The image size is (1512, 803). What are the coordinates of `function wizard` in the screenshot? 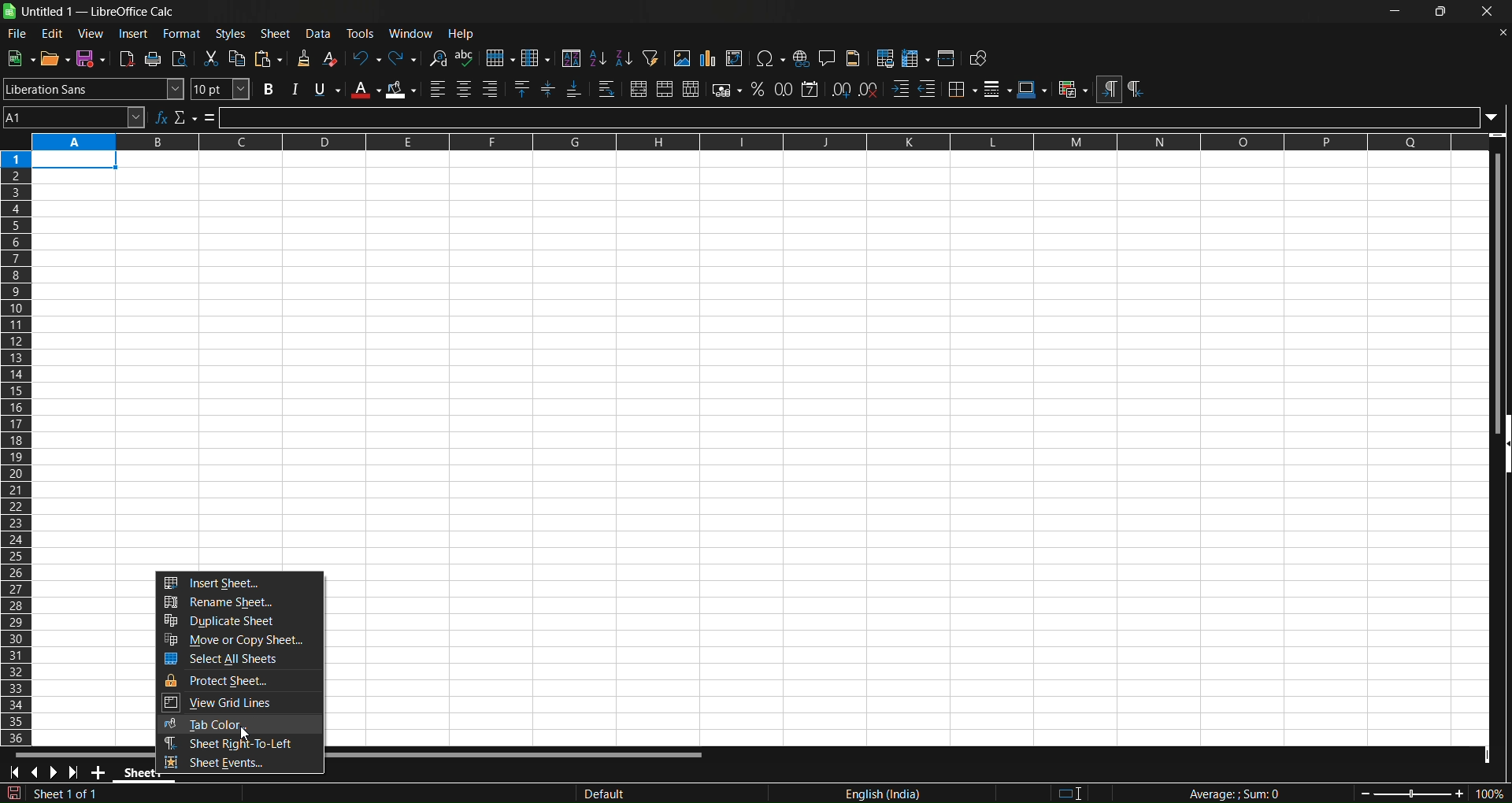 It's located at (161, 117).